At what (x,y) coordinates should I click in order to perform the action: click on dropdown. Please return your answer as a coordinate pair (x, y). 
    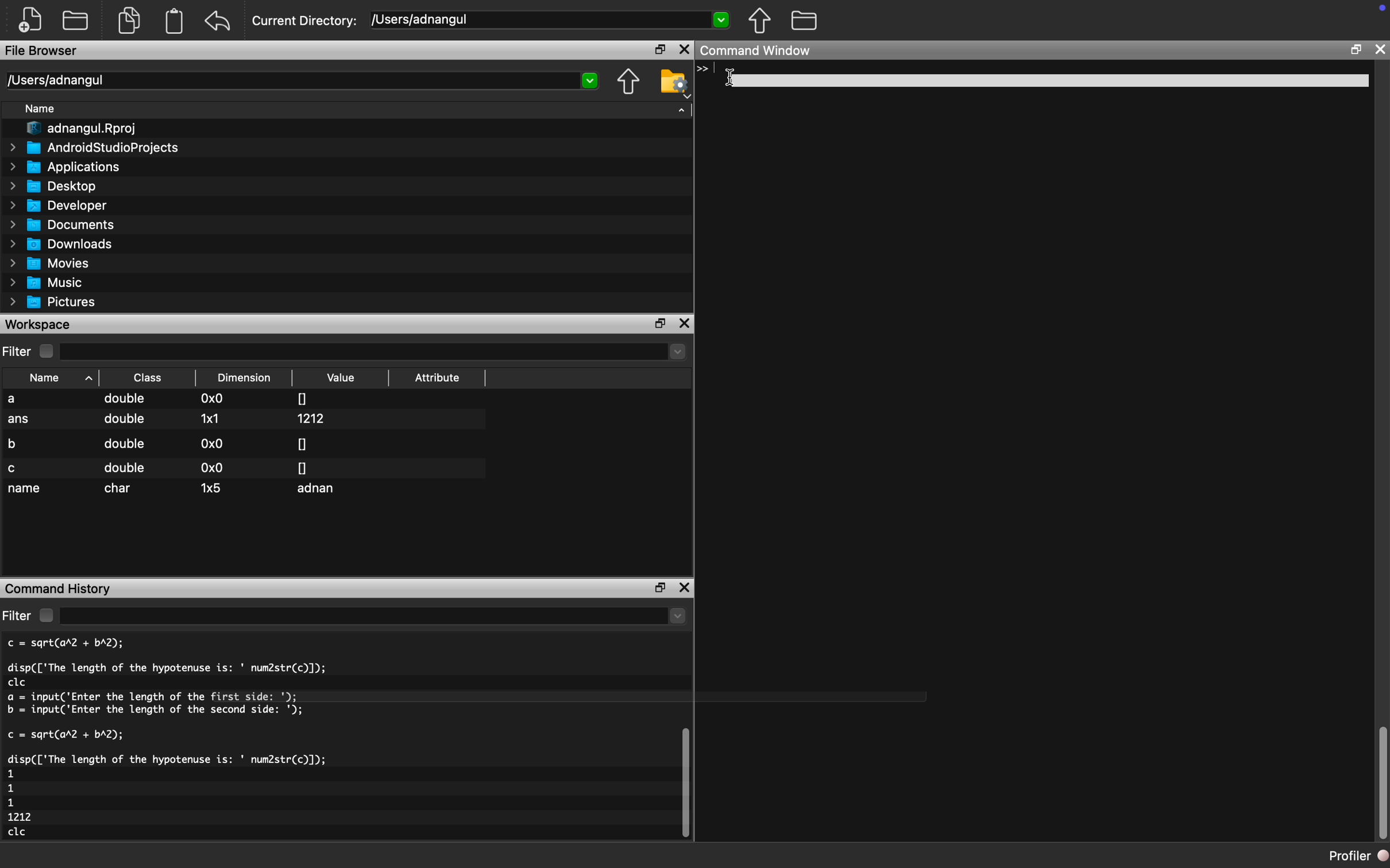
    Looking at the image, I should click on (375, 352).